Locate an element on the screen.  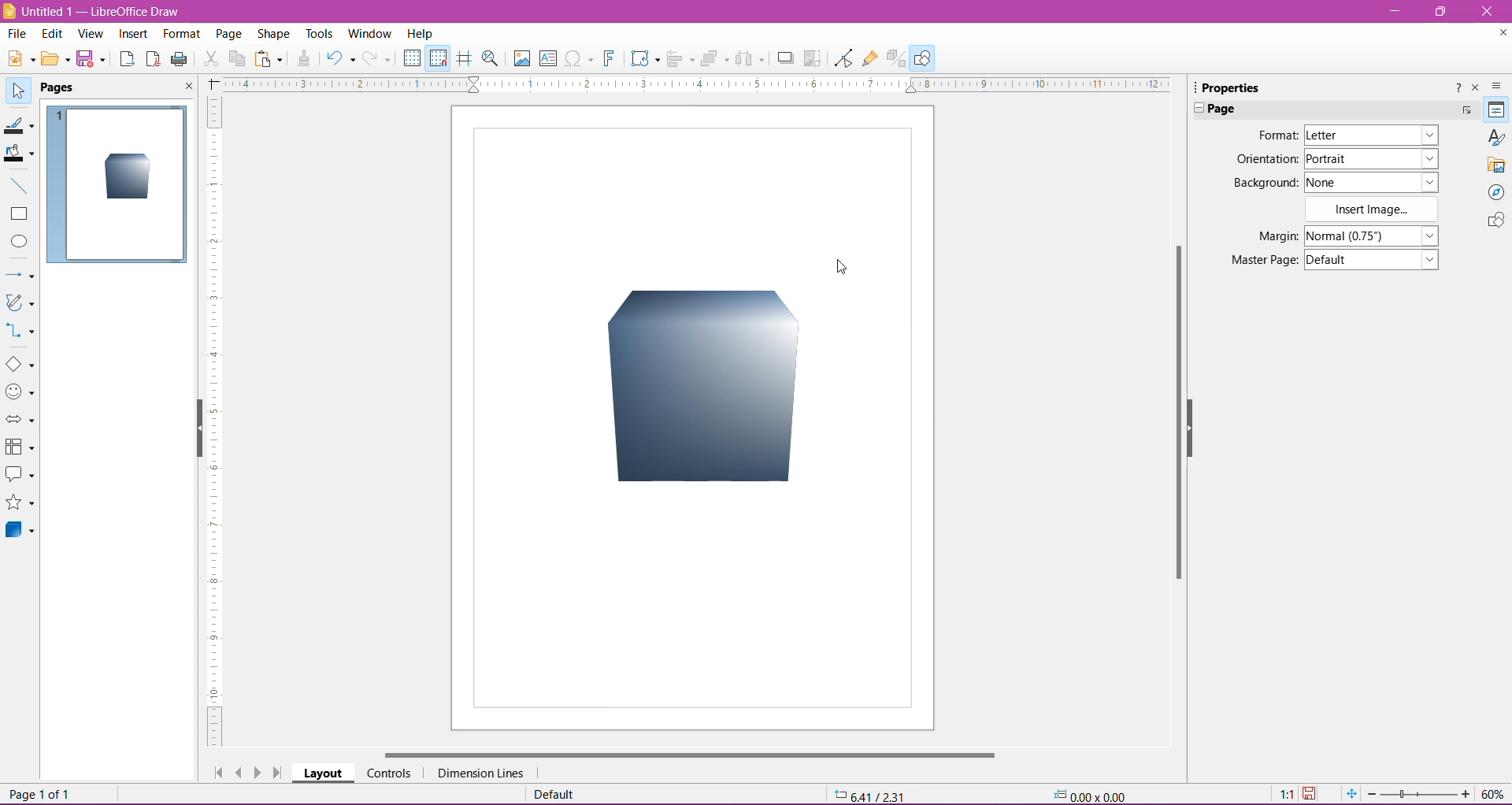
Select the page format is located at coordinates (1367, 135).